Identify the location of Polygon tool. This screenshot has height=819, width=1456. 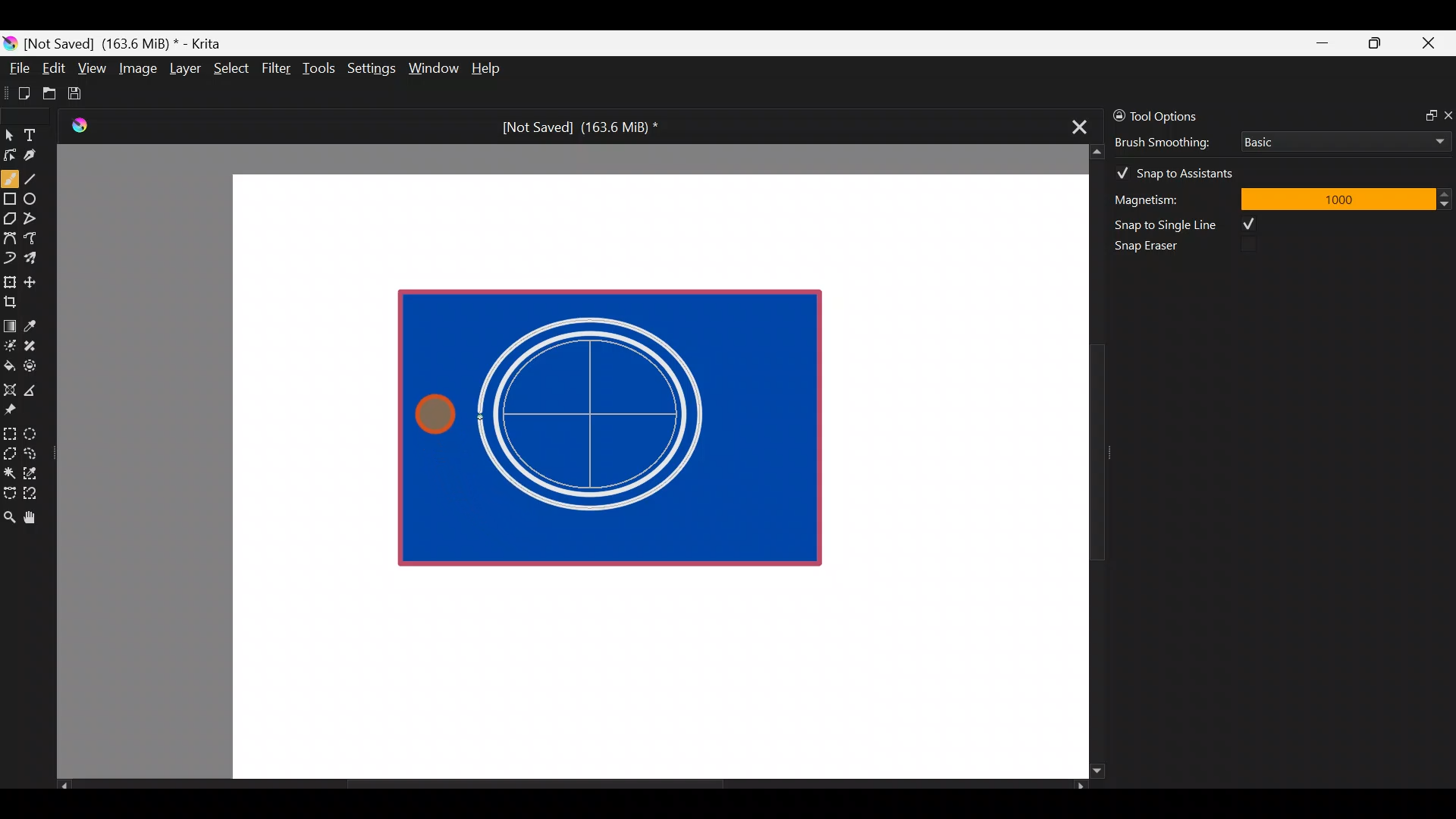
(9, 219).